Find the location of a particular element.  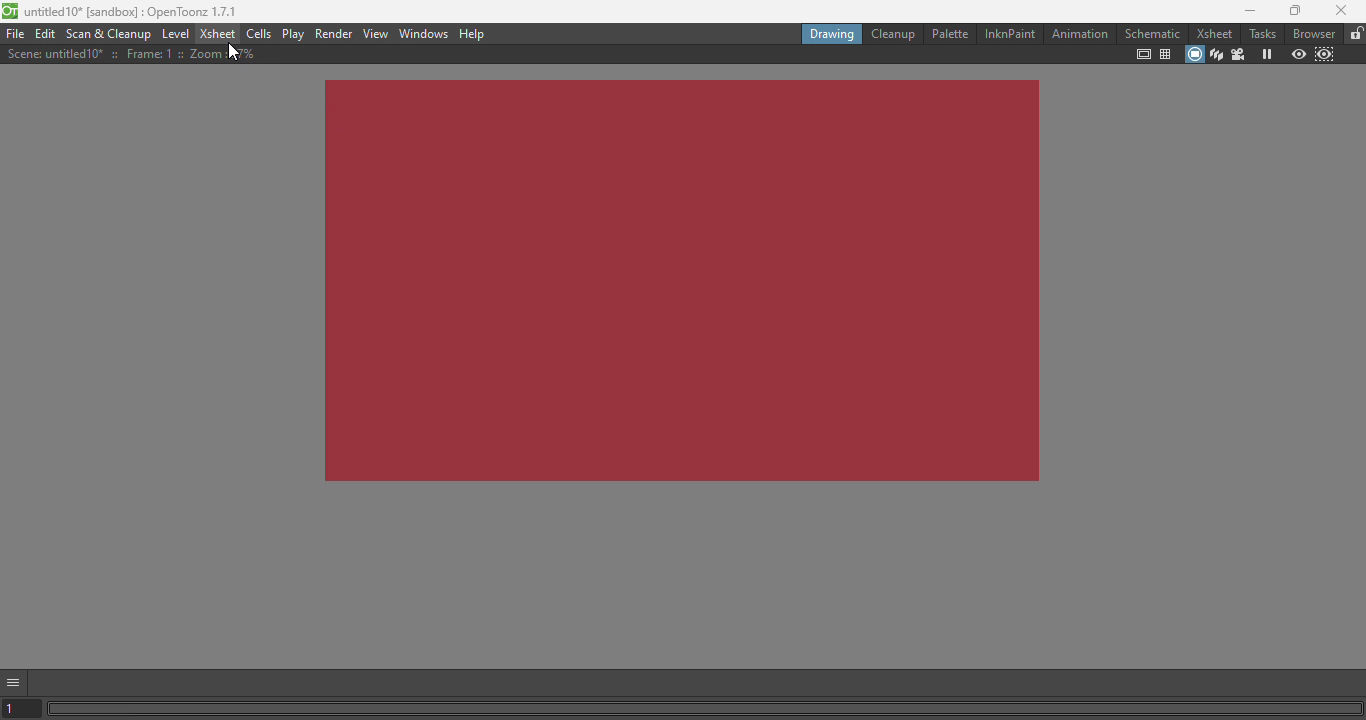

Minimize is located at coordinates (1247, 11).